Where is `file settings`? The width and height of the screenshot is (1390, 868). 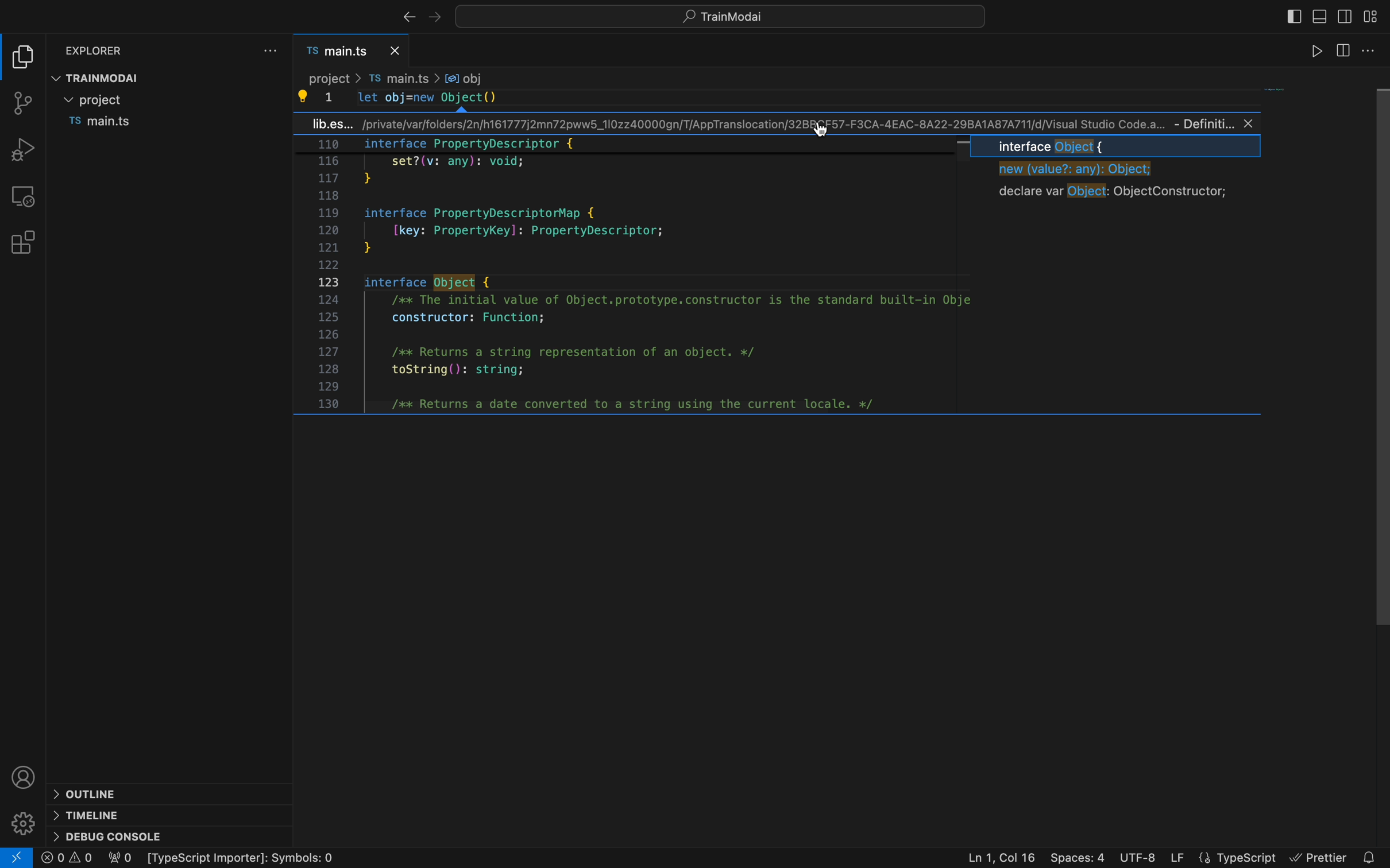
file settings is located at coordinates (264, 50).